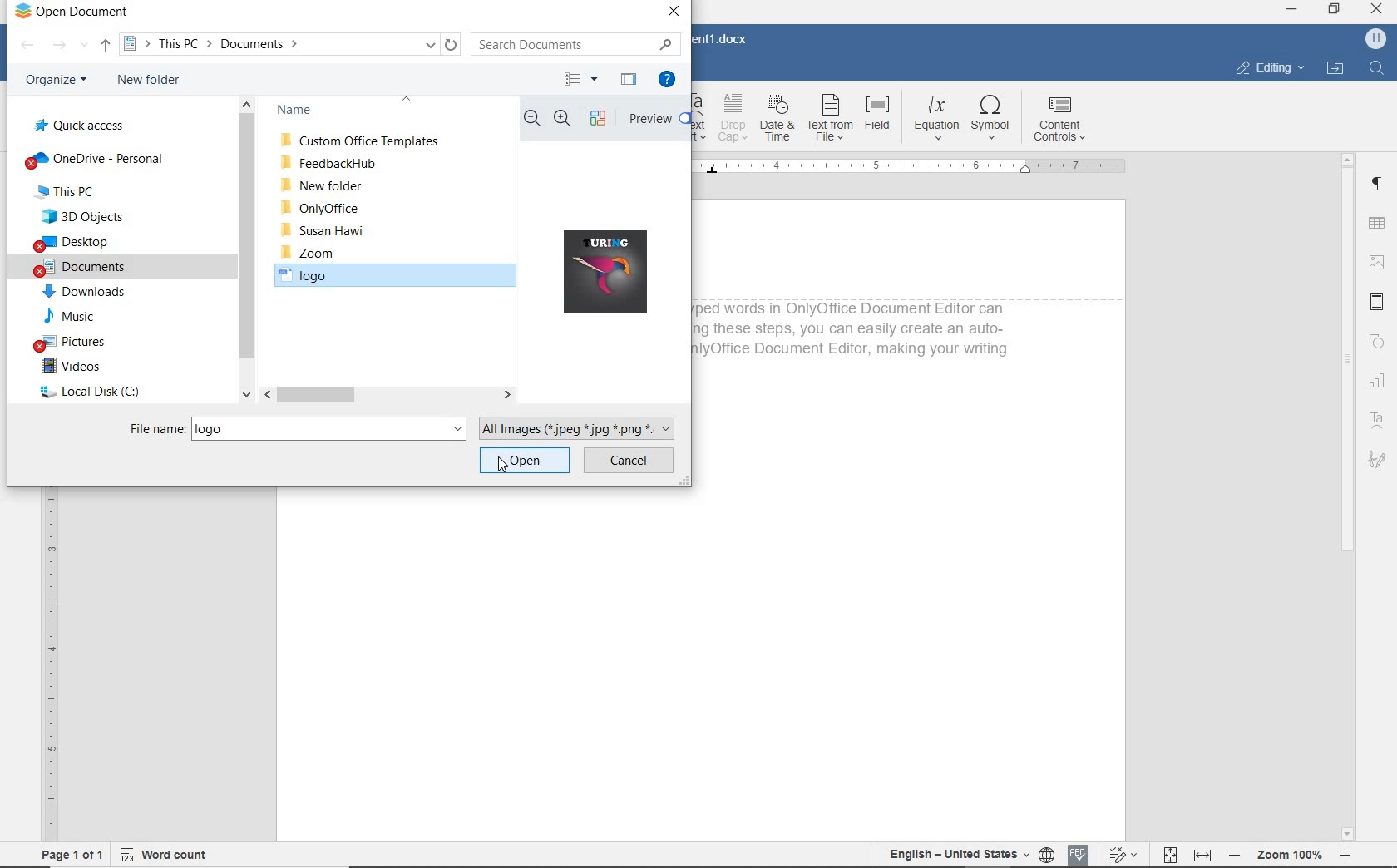  I want to click on OPEN FILE LOCTION, so click(1335, 69).